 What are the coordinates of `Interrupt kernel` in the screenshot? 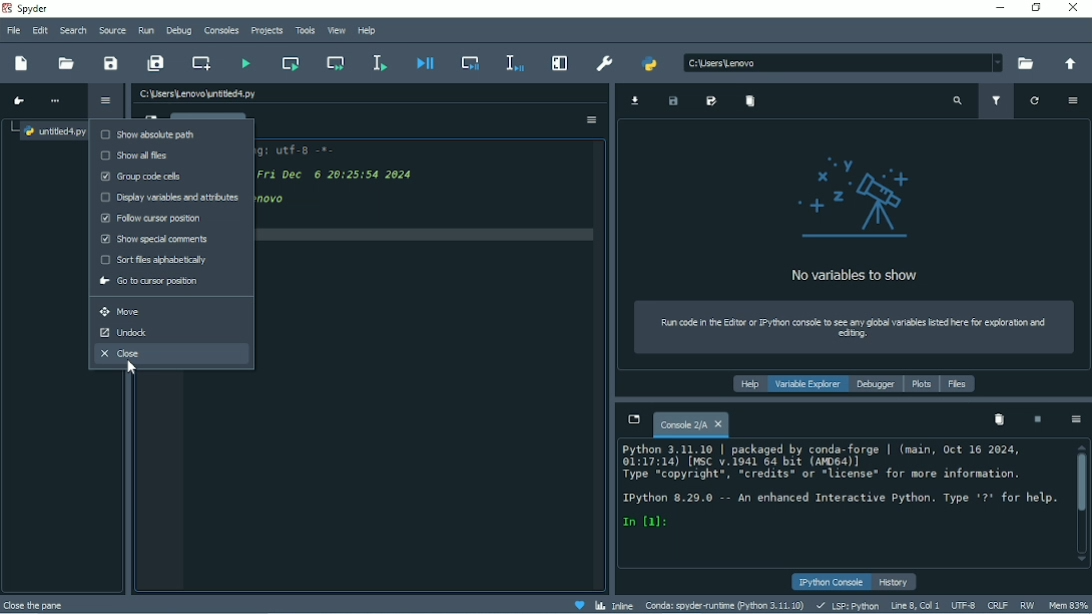 It's located at (1034, 418).